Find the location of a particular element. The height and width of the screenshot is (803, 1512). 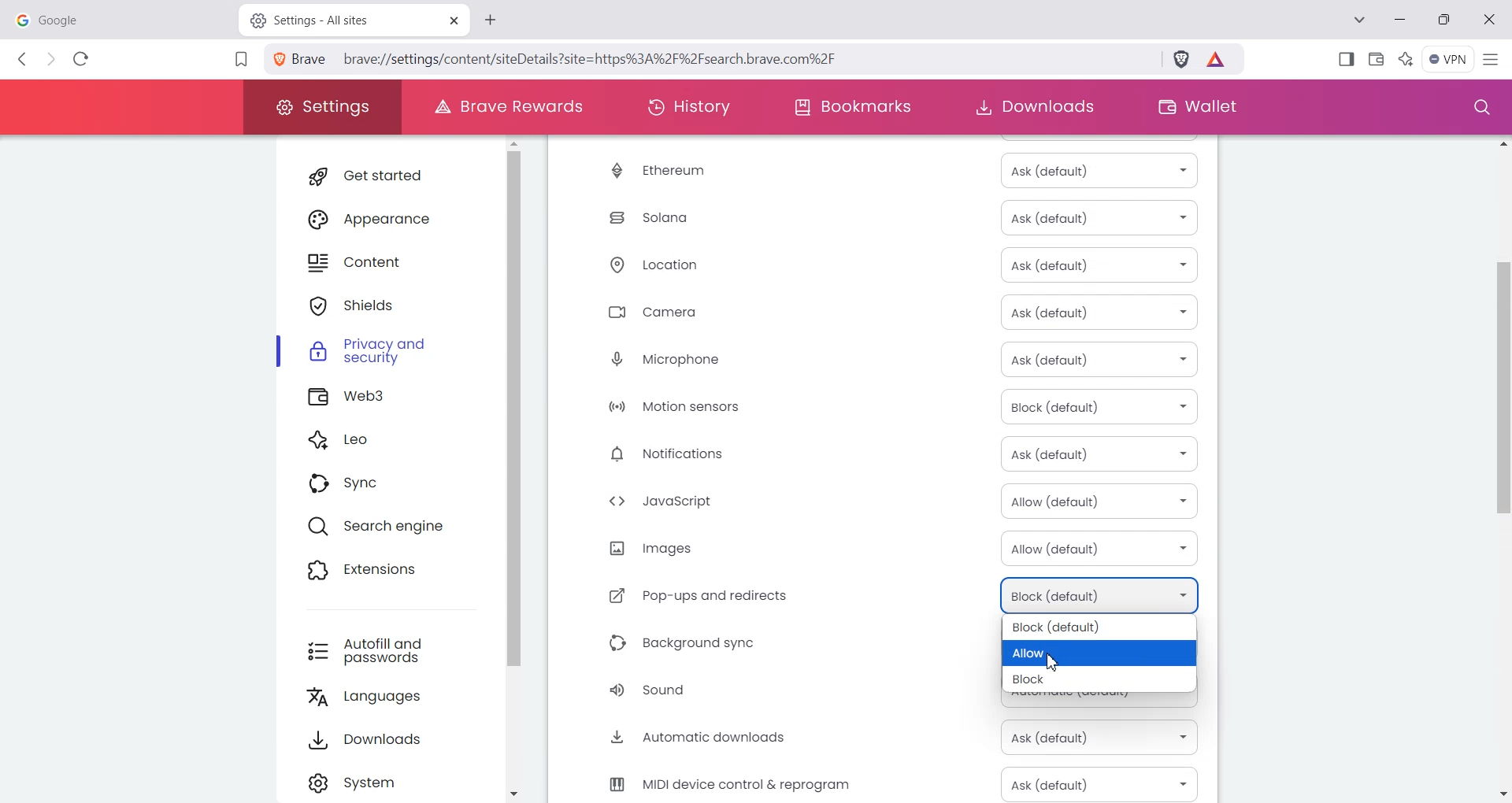

Settings is located at coordinates (396, 783).